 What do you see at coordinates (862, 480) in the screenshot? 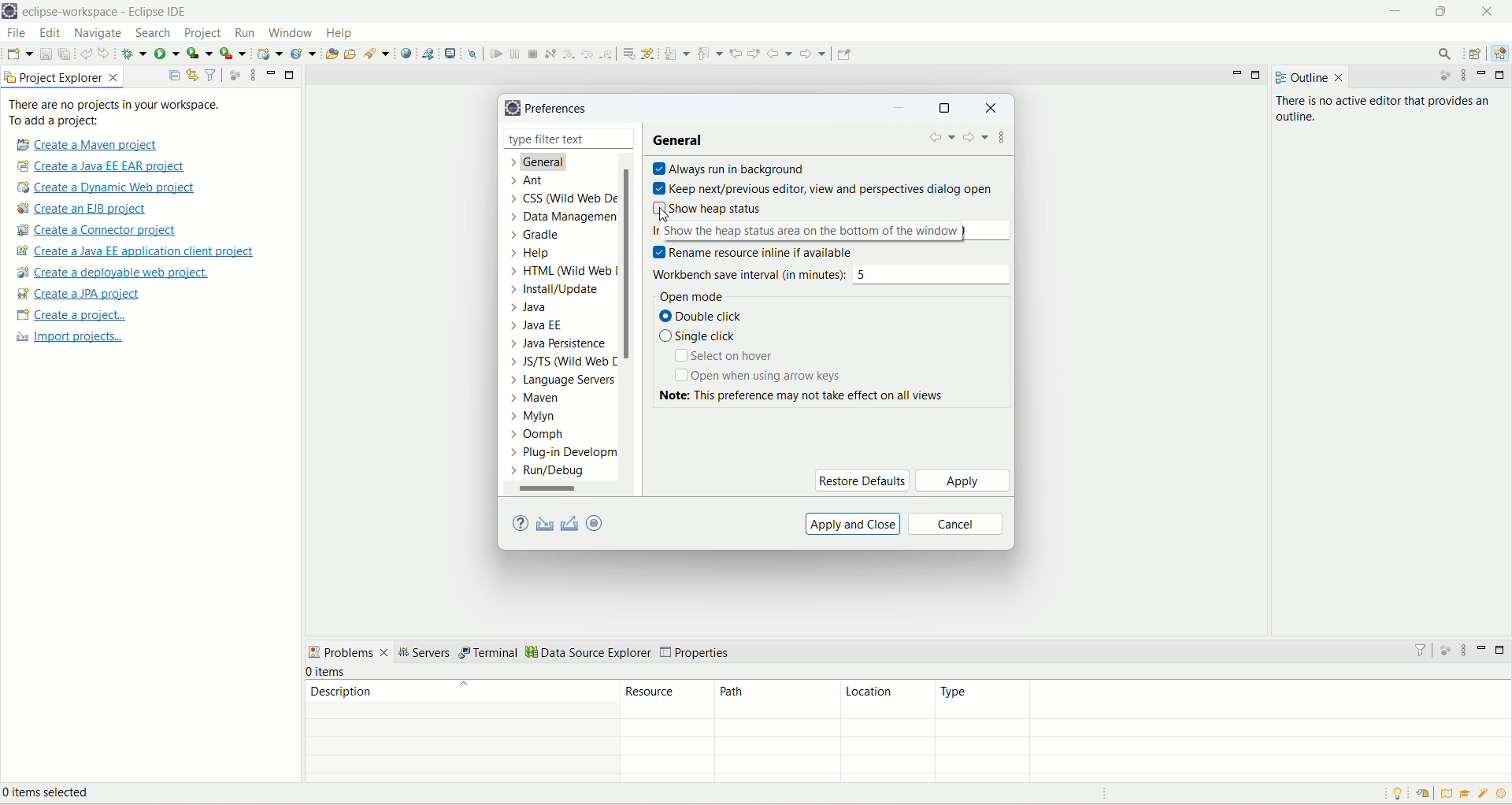
I see `restore defaults` at bounding box center [862, 480].